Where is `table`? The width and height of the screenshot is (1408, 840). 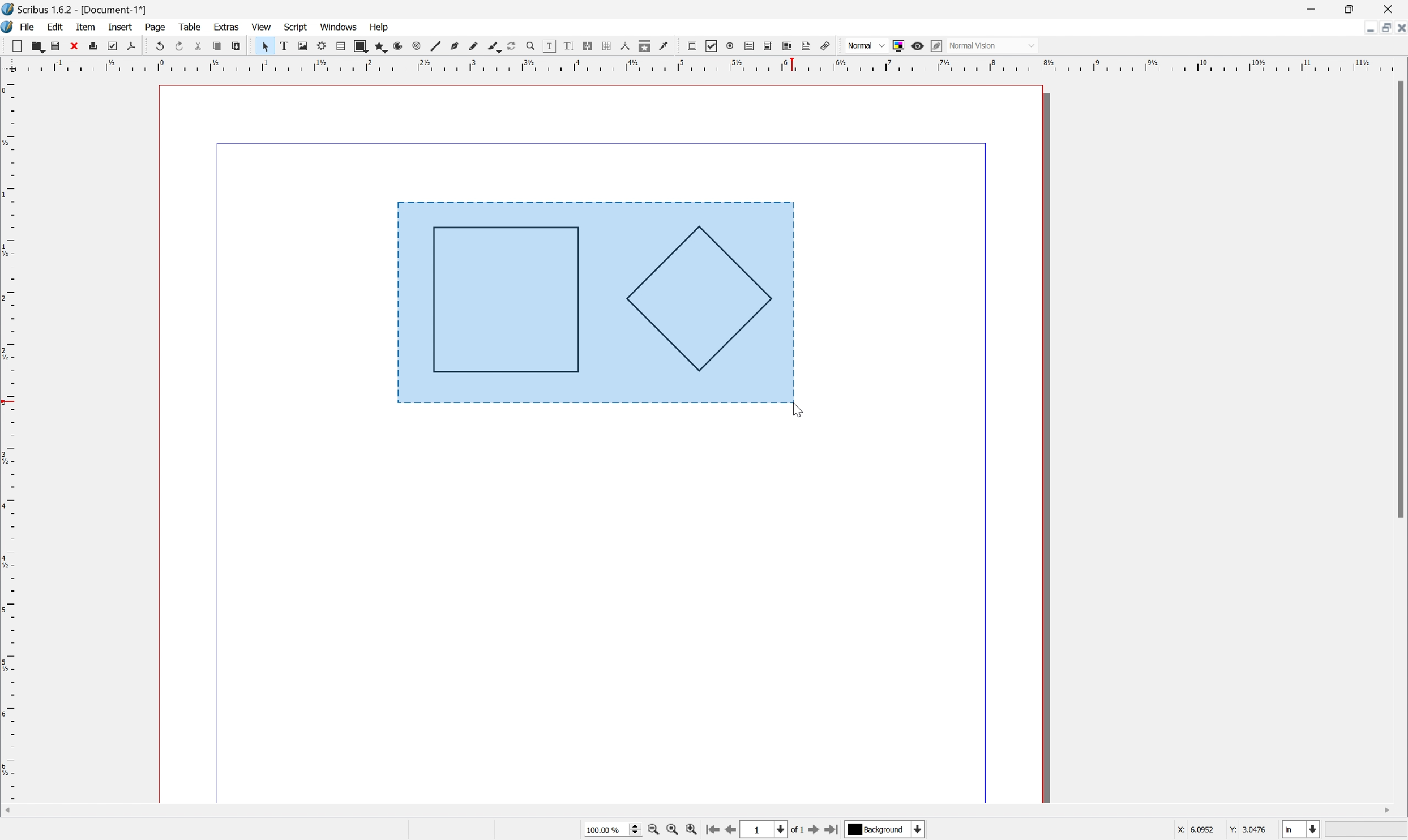
table is located at coordinates (192, 28).